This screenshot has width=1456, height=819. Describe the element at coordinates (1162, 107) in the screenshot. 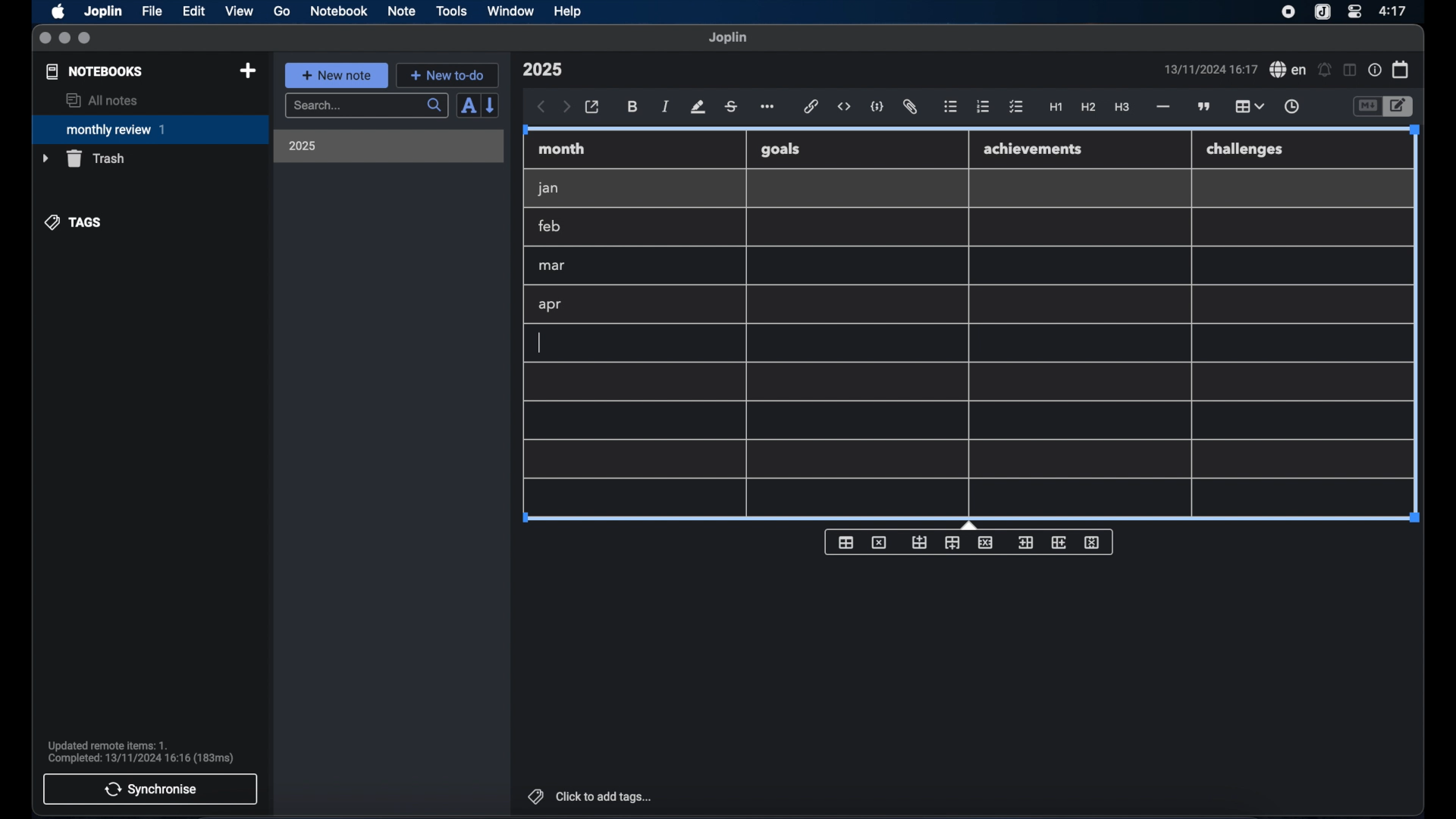

I see `horizontal rule` at that location.